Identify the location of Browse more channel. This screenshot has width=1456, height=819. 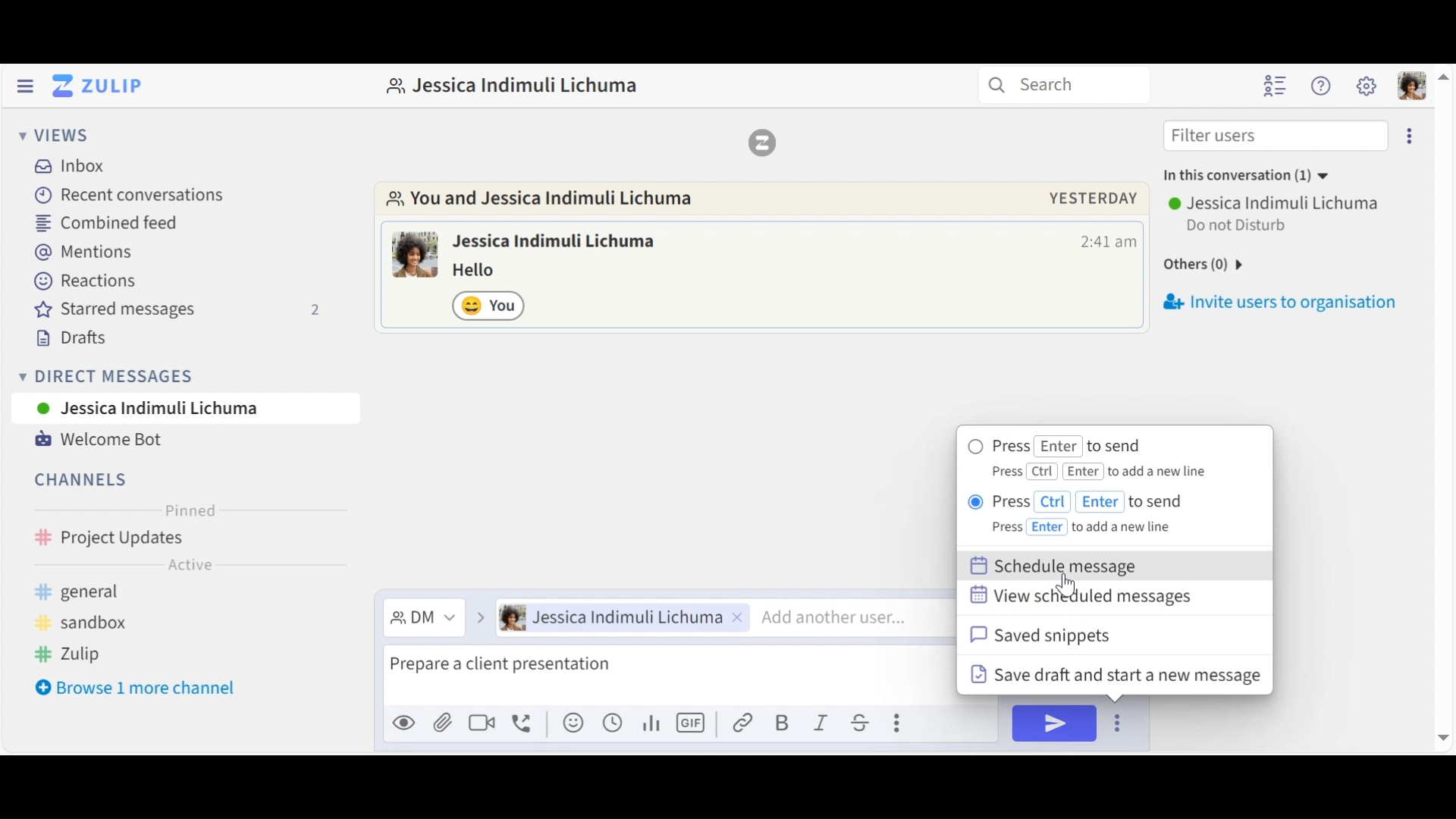
(146, 690).